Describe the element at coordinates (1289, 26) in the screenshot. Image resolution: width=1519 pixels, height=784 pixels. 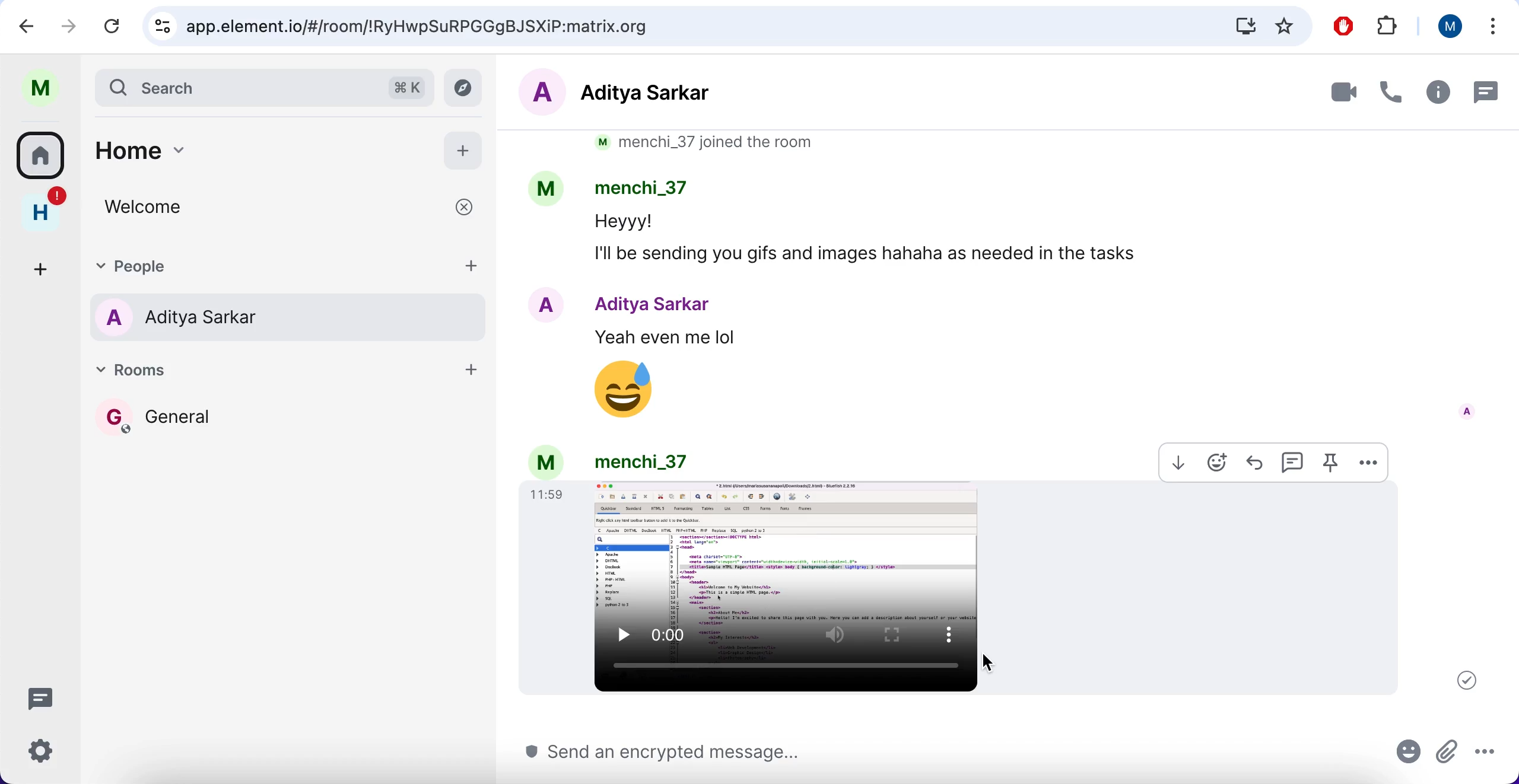
I see `favorites` at that location.